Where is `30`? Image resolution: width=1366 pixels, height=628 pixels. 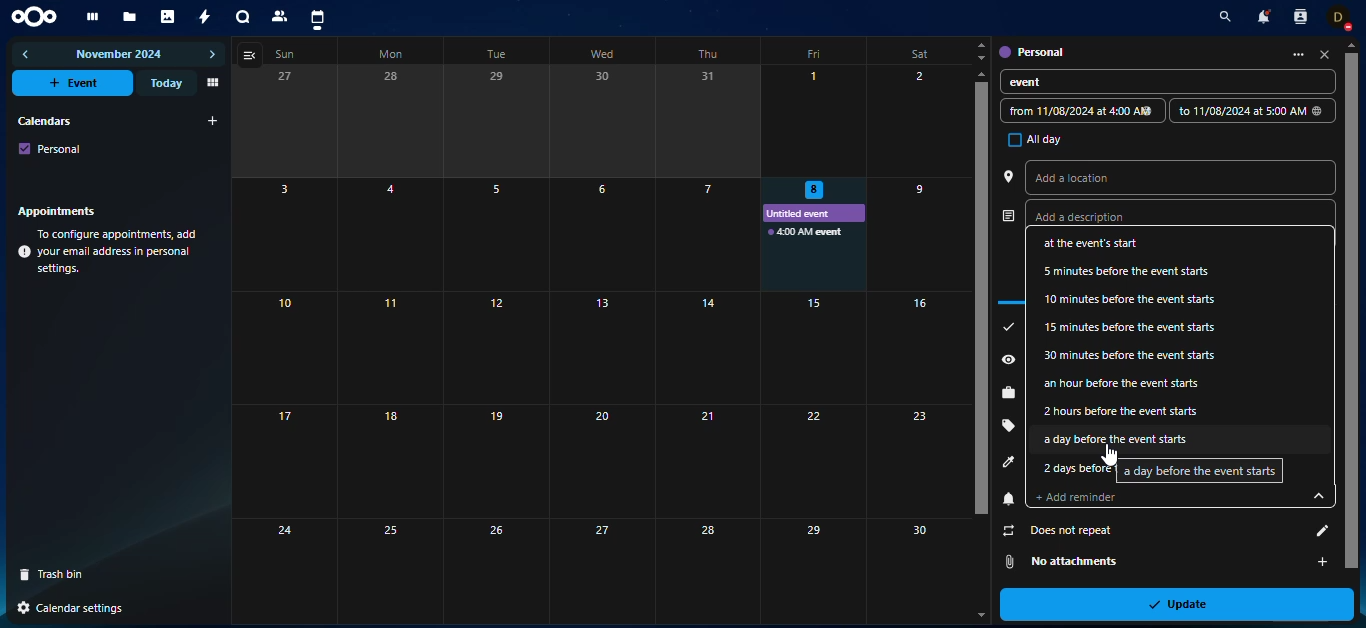
30 is located at coordinates (605, 119).